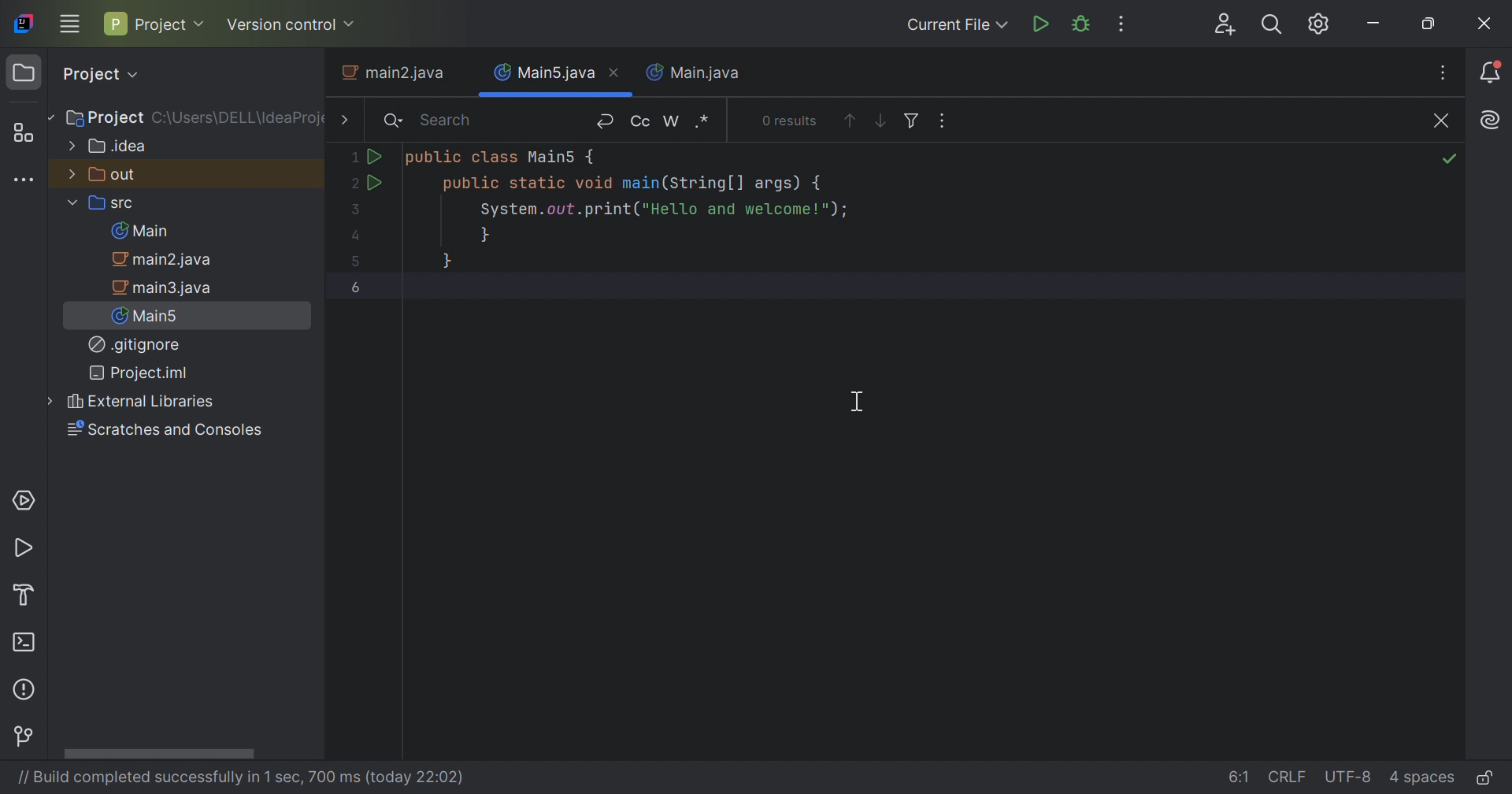 The height and width of the screenshot is (794, 1512). Describe the element at coordinates (1449, 117) in the screenshot. I see `No problems found` at that location.